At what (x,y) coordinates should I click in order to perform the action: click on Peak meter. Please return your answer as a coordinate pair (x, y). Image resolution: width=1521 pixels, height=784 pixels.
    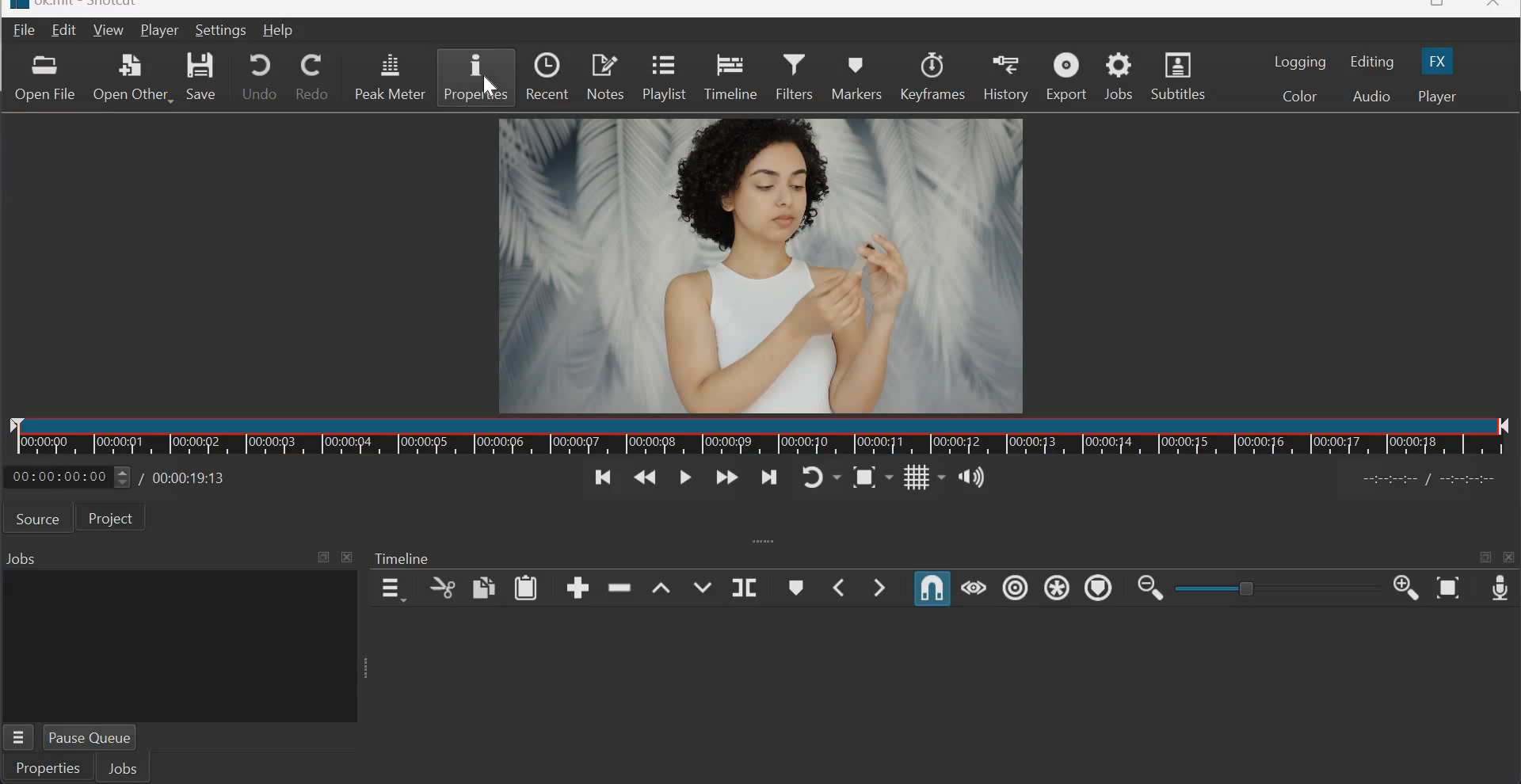
    Looking at the image, I should click on (390, 77).